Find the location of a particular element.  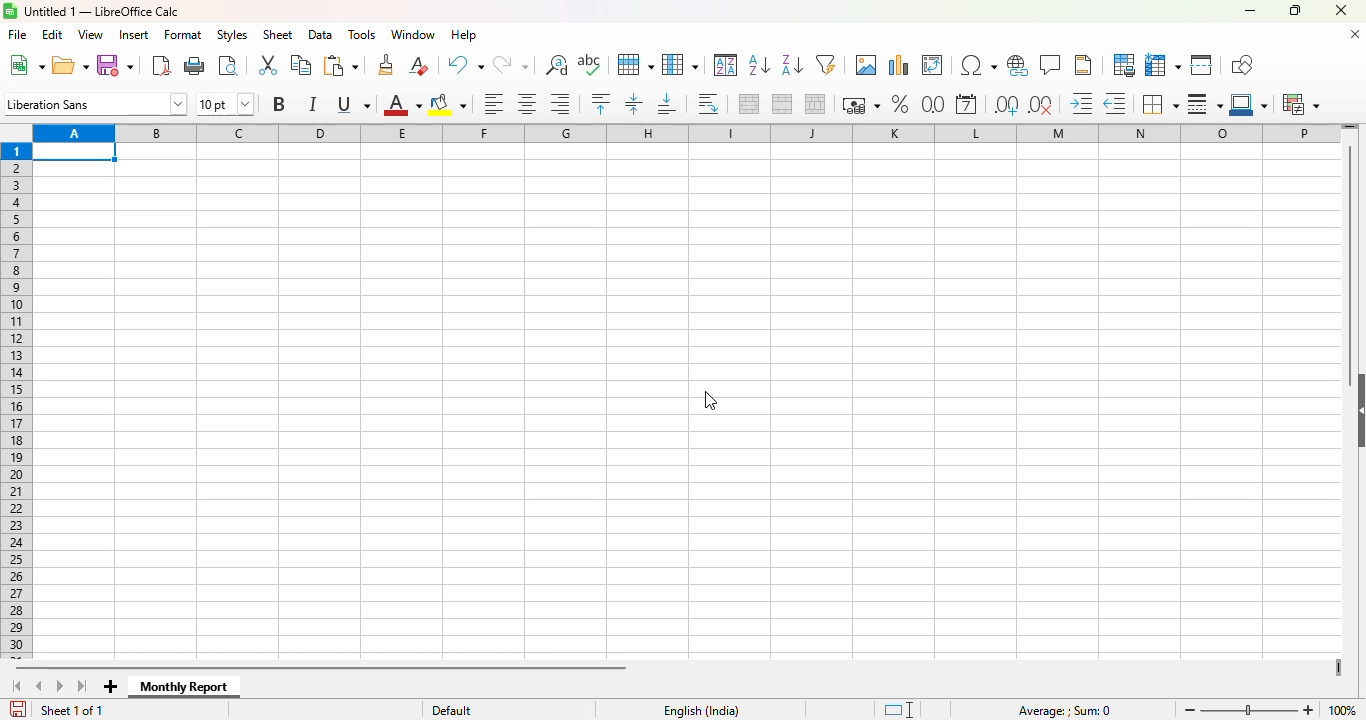

undo is located at coordinates (463, 65).